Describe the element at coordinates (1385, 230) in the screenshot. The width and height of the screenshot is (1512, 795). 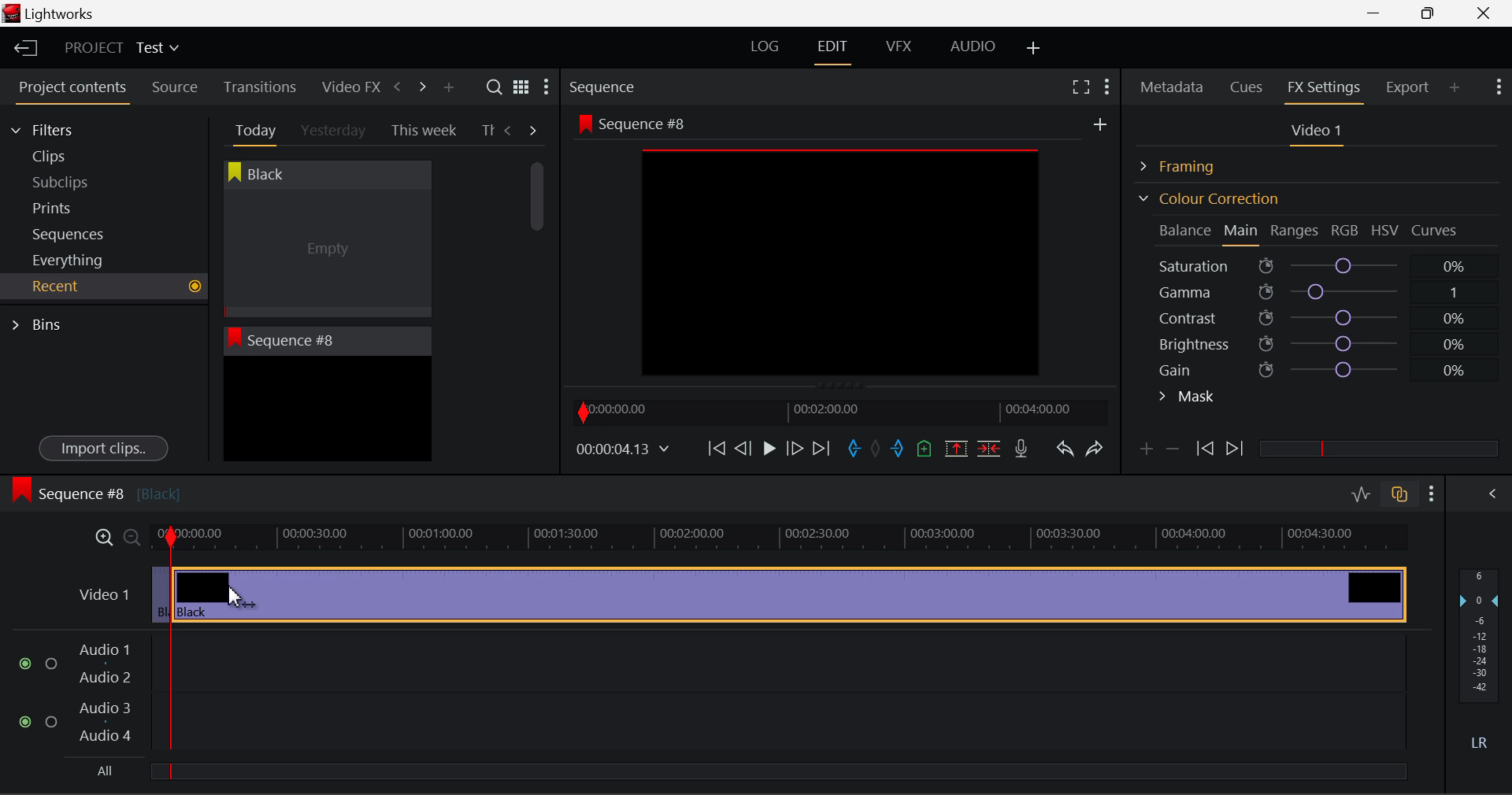
I see `HSV` at that location.